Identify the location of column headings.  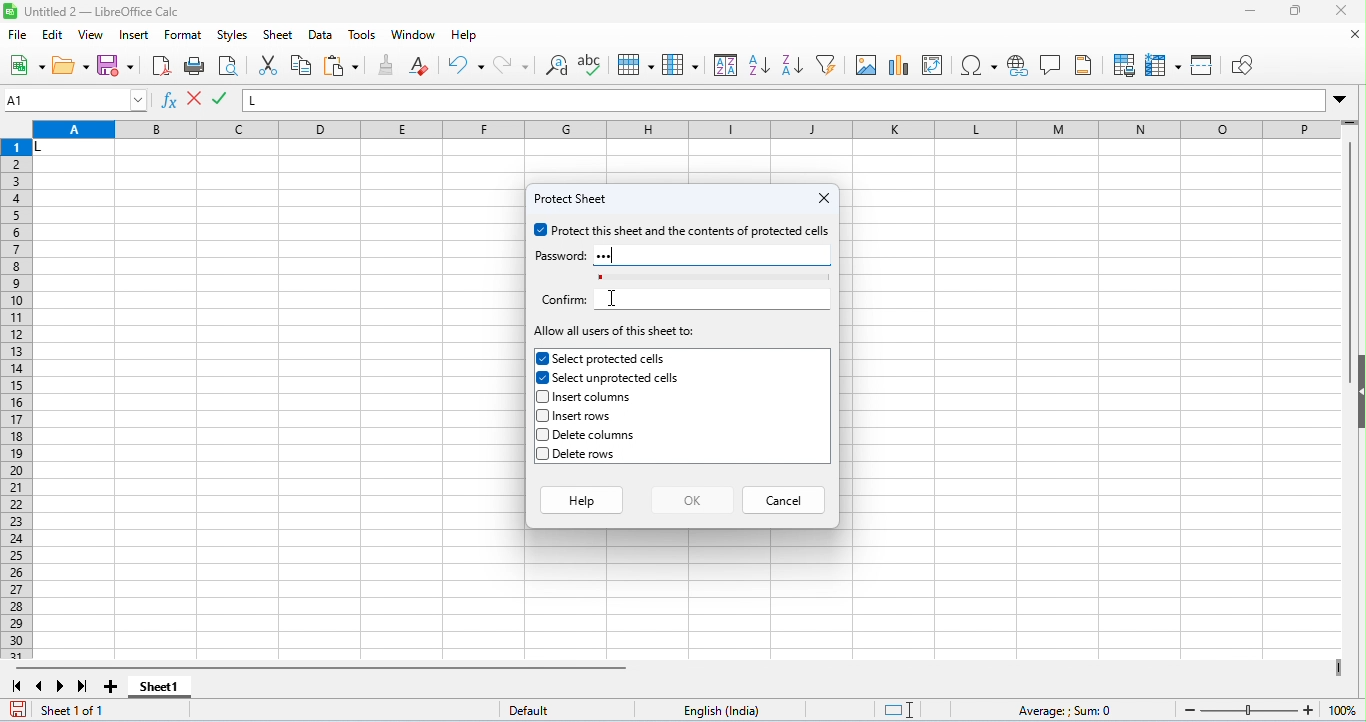
(685, 131).